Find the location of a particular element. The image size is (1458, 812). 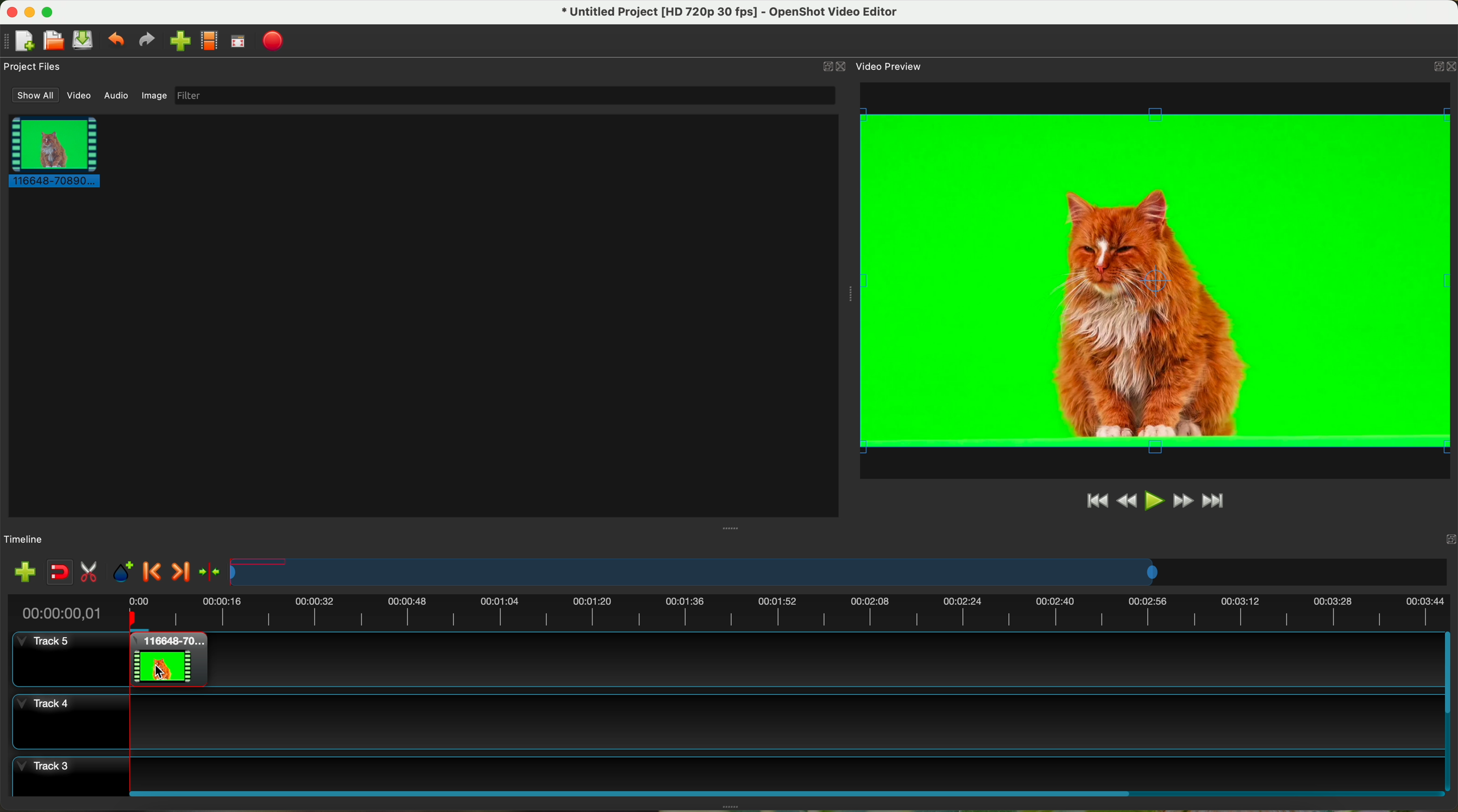

previous marker is located at coordinates (153, 572).